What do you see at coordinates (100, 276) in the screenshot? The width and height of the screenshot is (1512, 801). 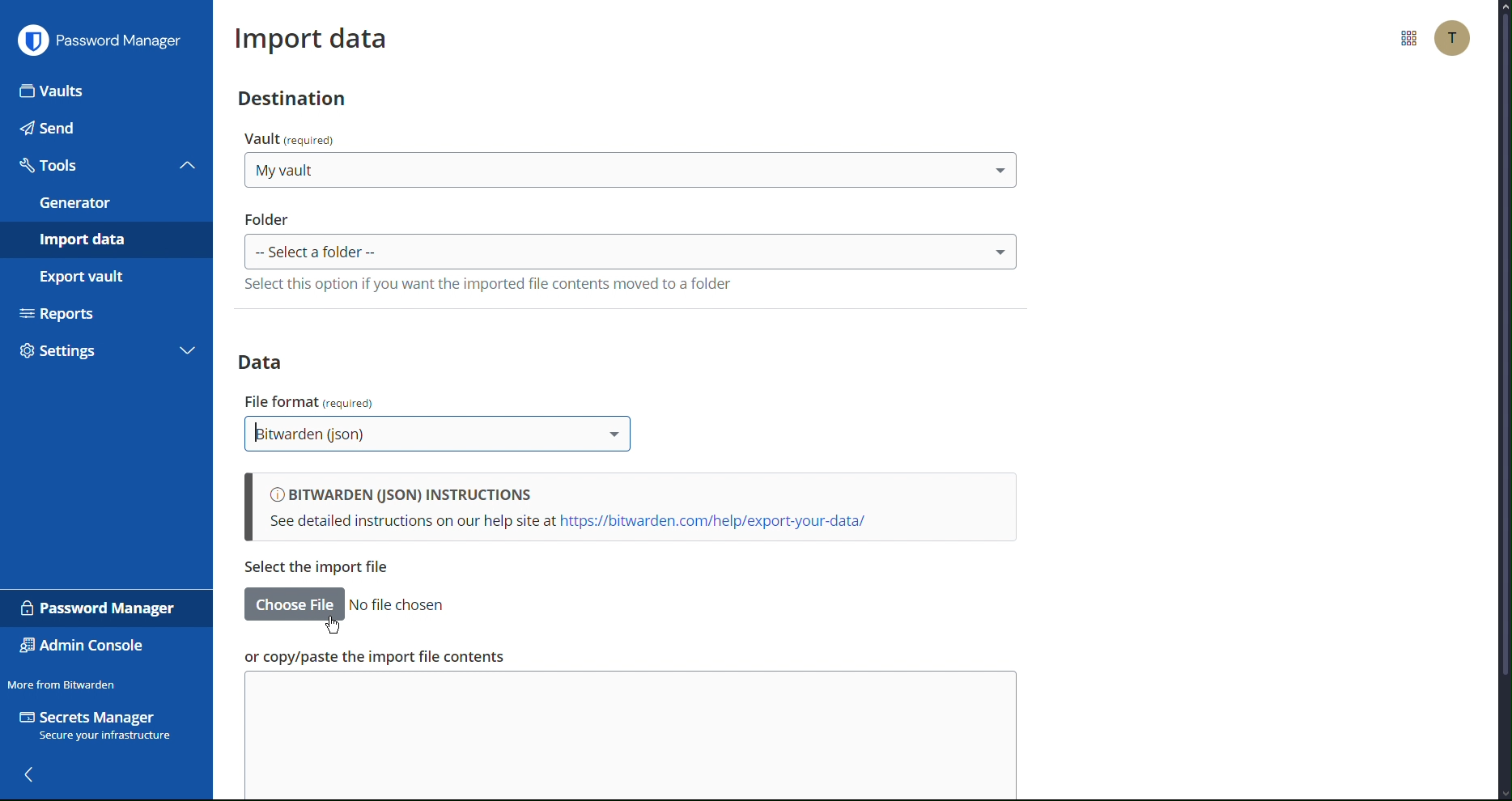 I see `Export vault` at bounding box center [100, 276].